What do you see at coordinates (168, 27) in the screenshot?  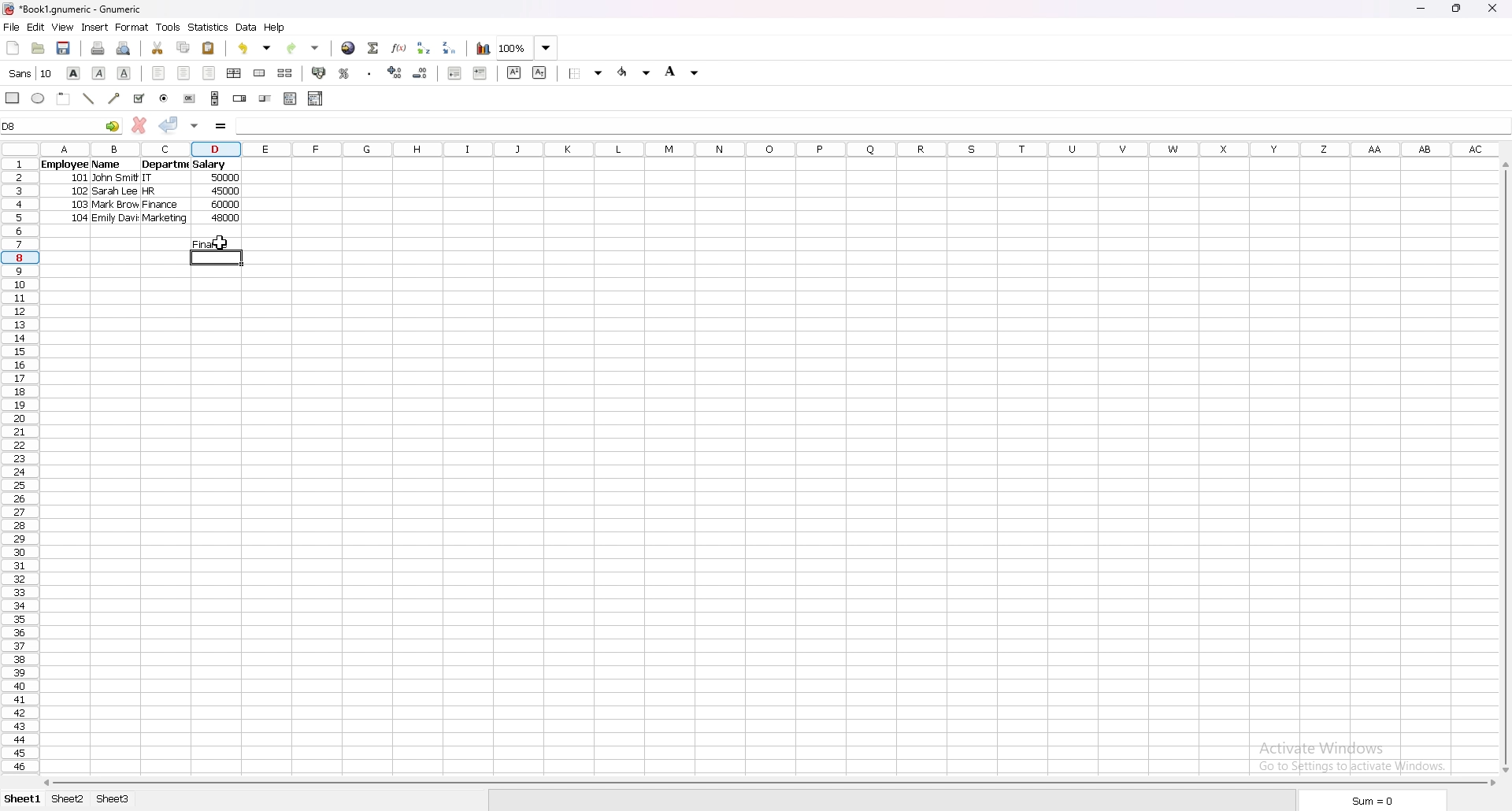 I see `tools` at bounding box center [168, 27].